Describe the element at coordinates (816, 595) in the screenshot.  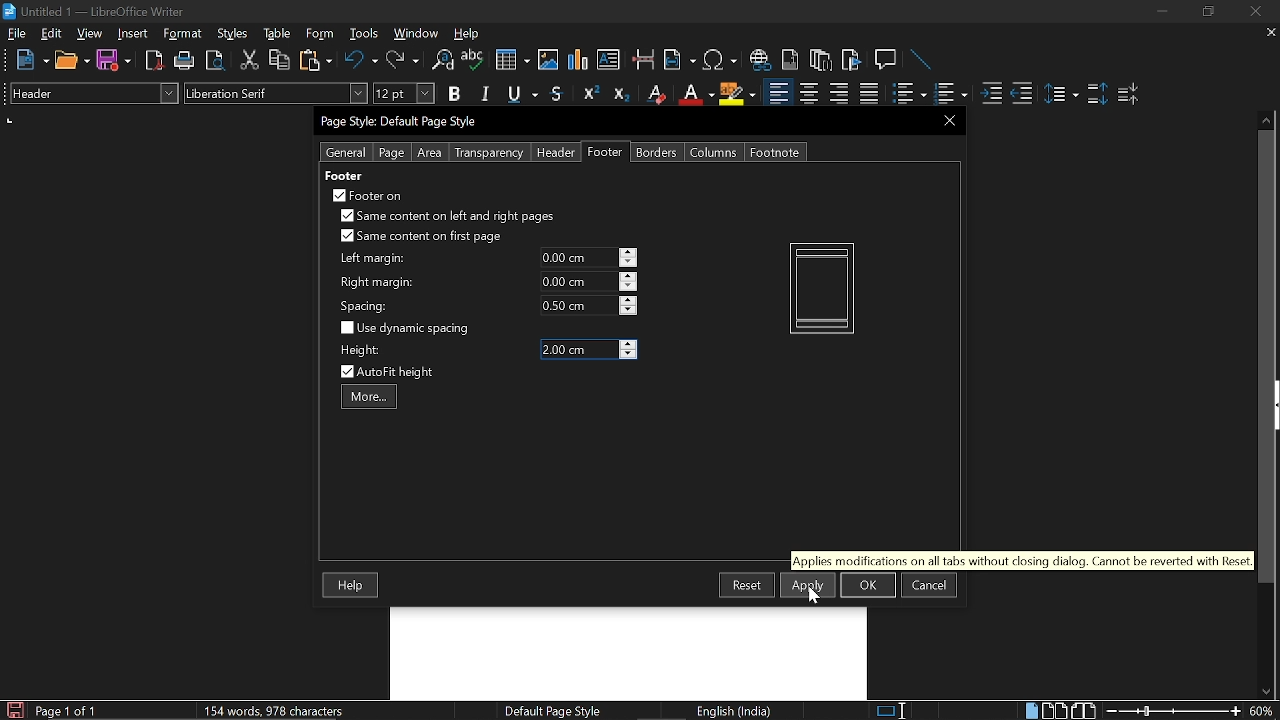
I see `Cursor` at that location.